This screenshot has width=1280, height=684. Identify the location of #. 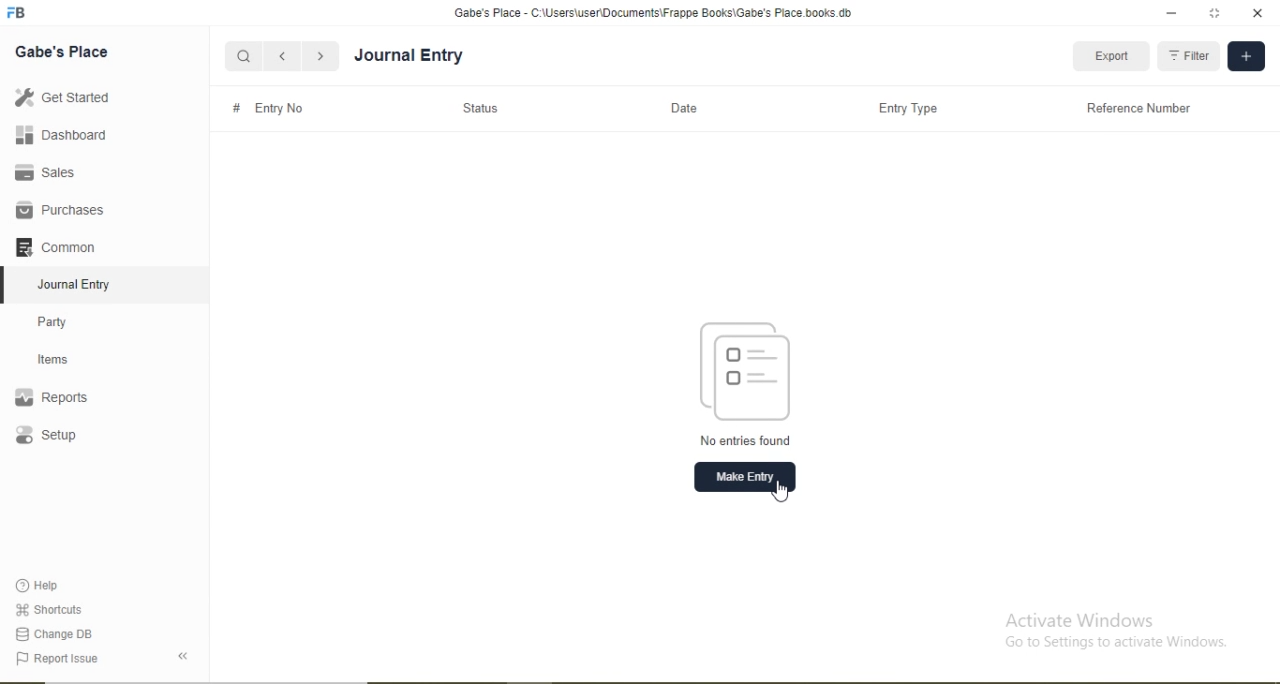
(236, 107).